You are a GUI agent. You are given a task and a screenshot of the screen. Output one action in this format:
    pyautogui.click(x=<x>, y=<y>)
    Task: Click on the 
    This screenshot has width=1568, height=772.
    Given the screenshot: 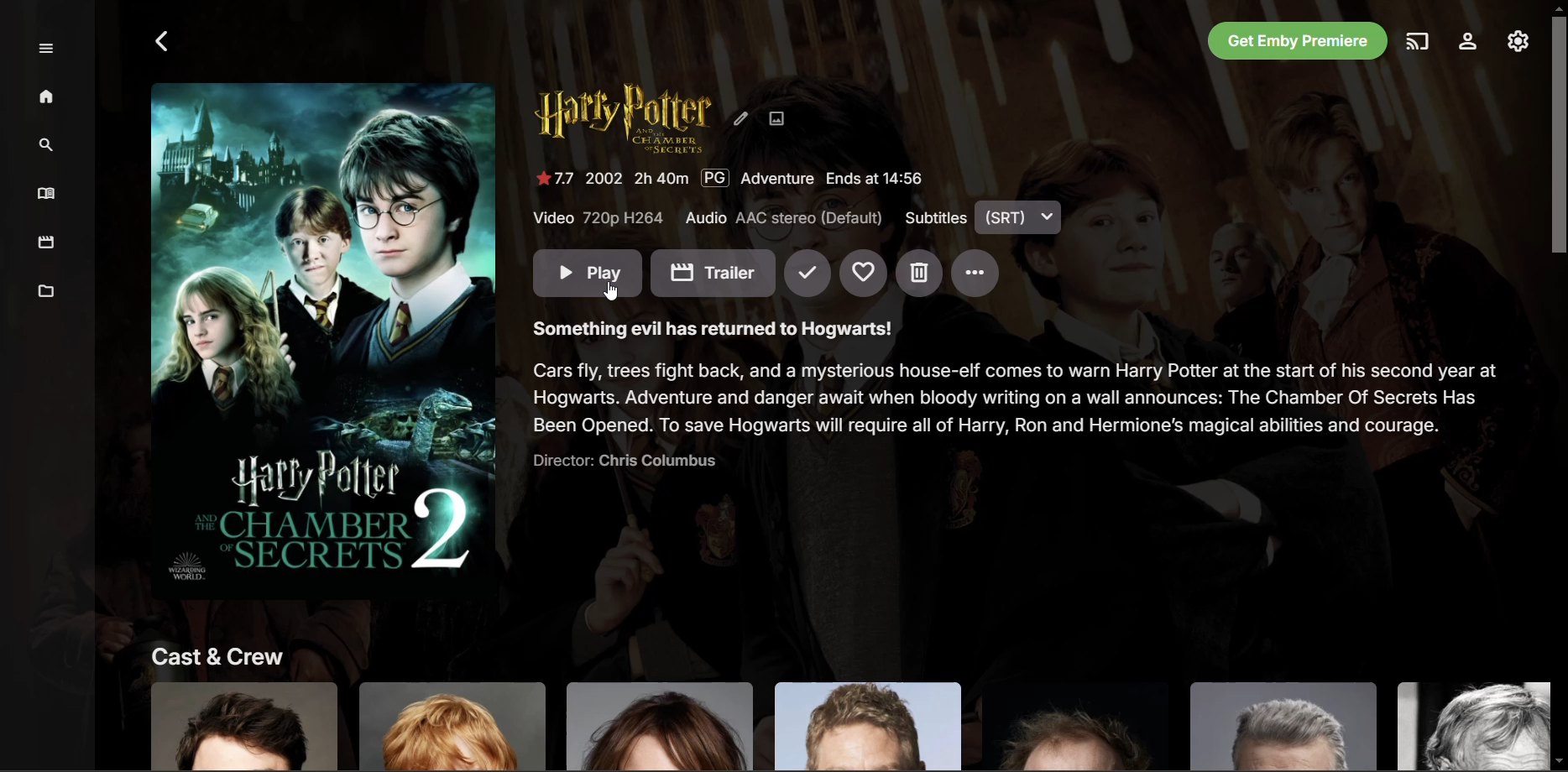 What is the action you would take?
    pyautogui.click(x=1011, y=396)
    